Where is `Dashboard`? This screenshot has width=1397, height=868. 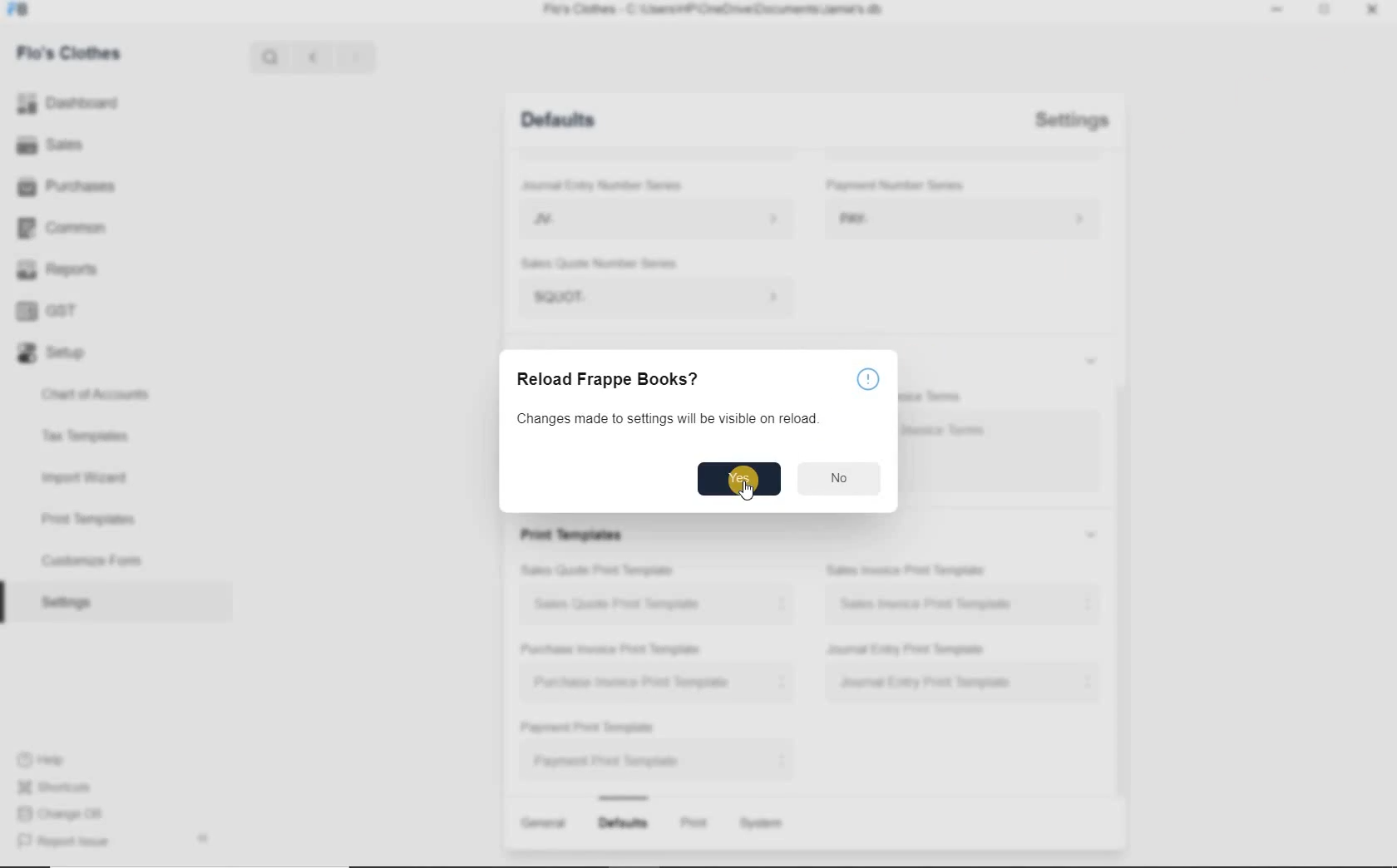 Dashboard is located at coordinates (72, 105).